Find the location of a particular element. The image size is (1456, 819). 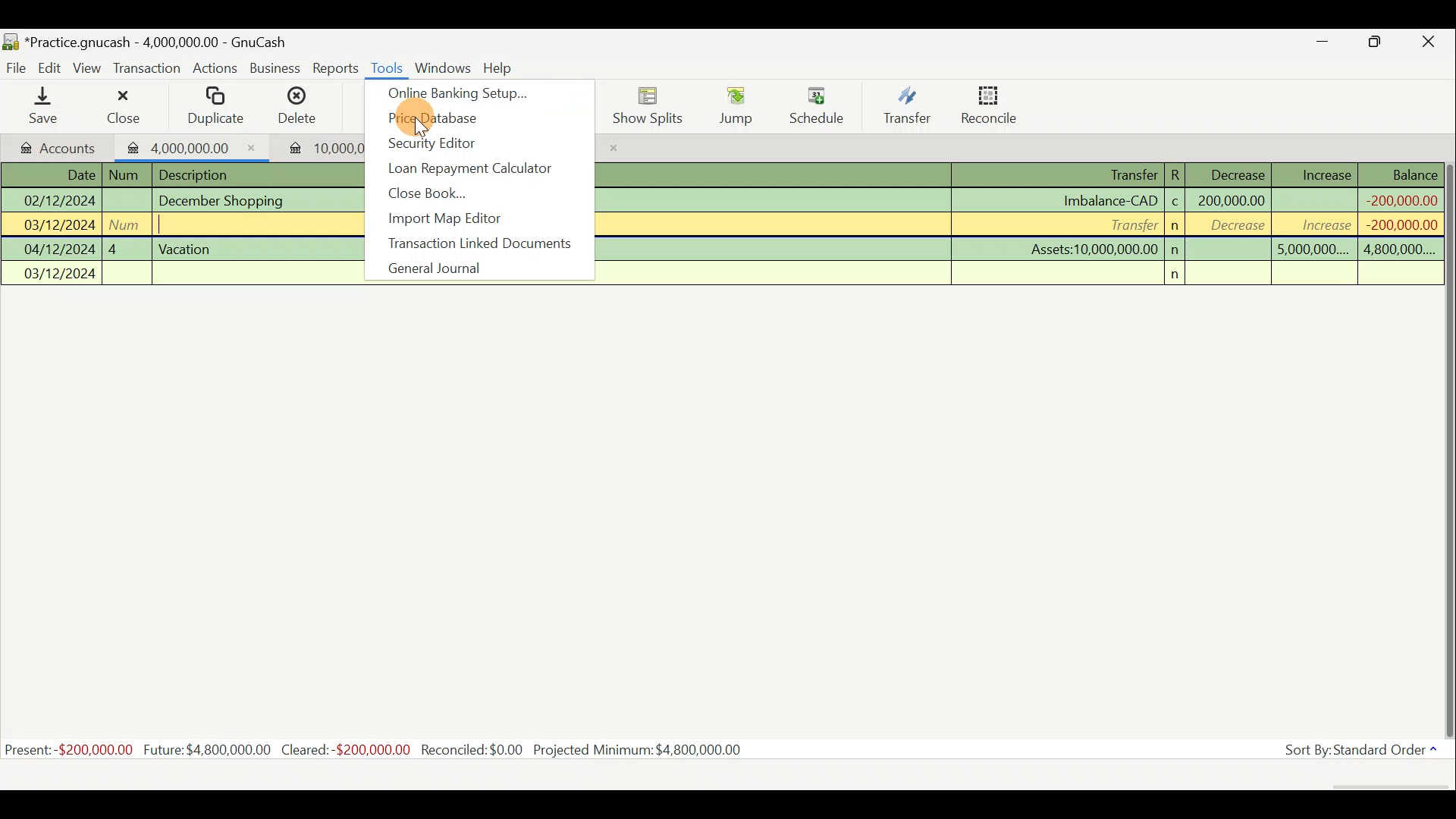

Imported transaction is located at coordinates (186, 146).